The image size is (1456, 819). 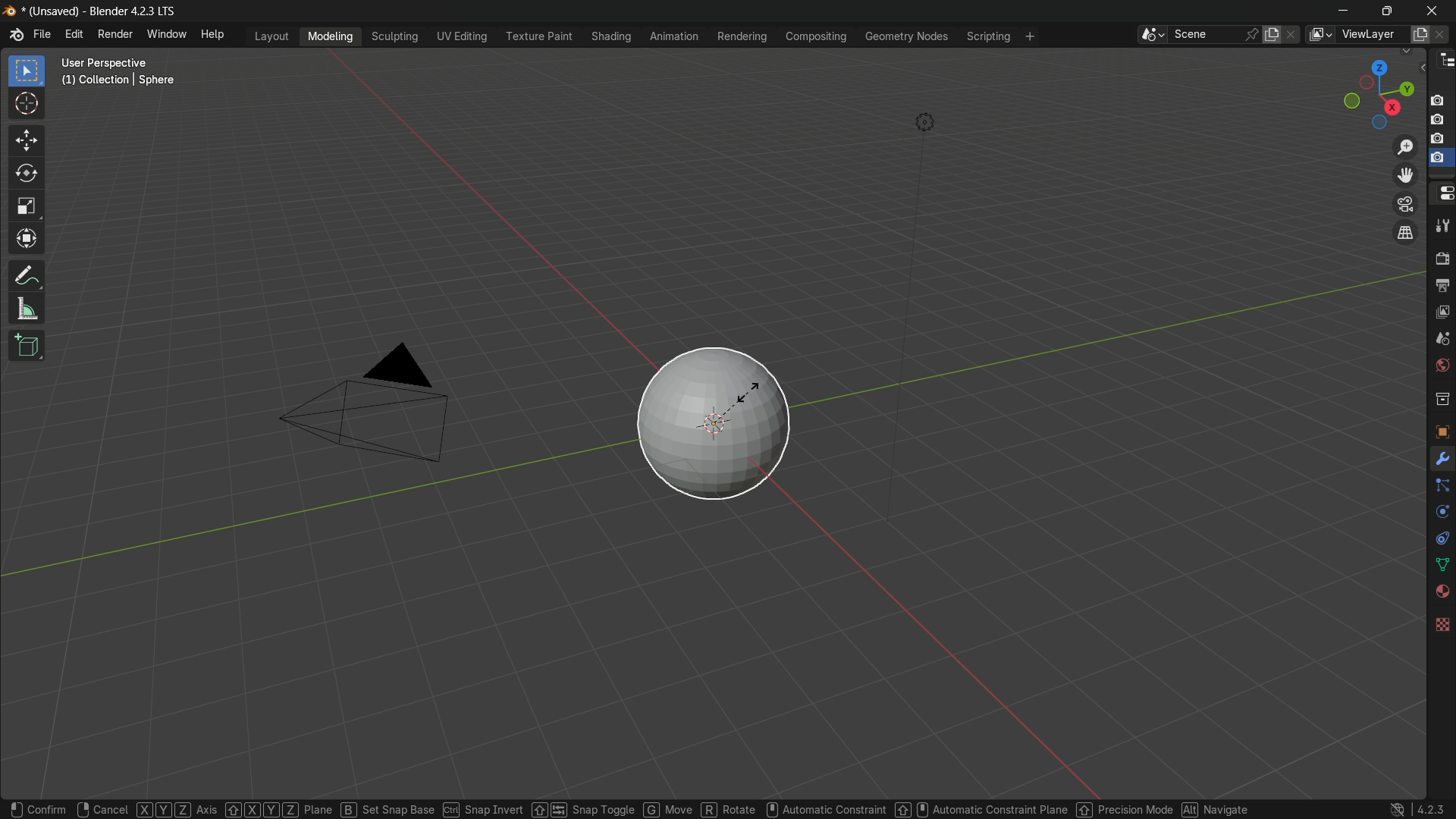 I want to click on snap toggle, so click(x=609, y=808).